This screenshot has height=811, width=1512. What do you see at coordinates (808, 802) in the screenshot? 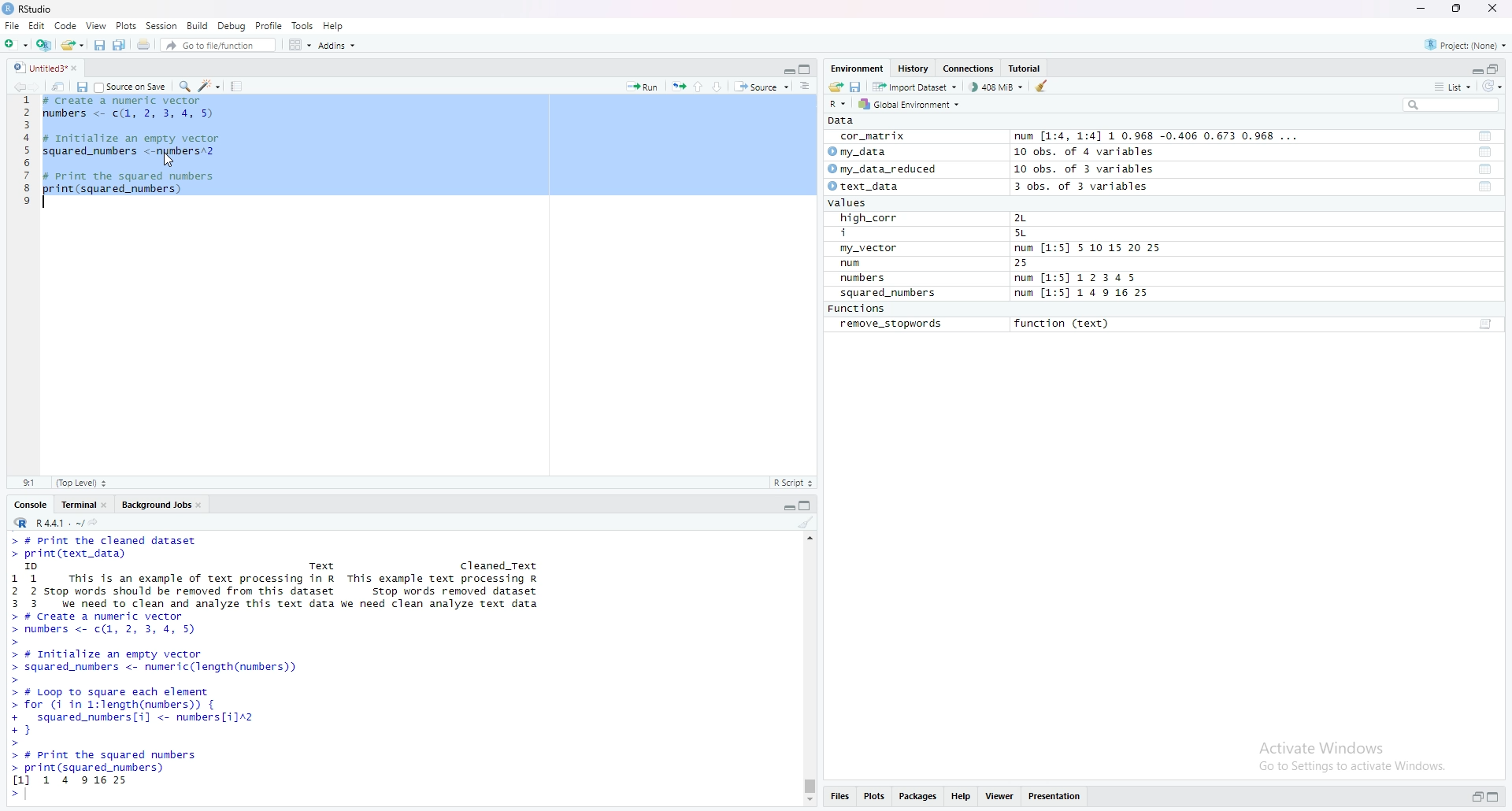
I see `scrollbar down` at bounding box center [808, 802].